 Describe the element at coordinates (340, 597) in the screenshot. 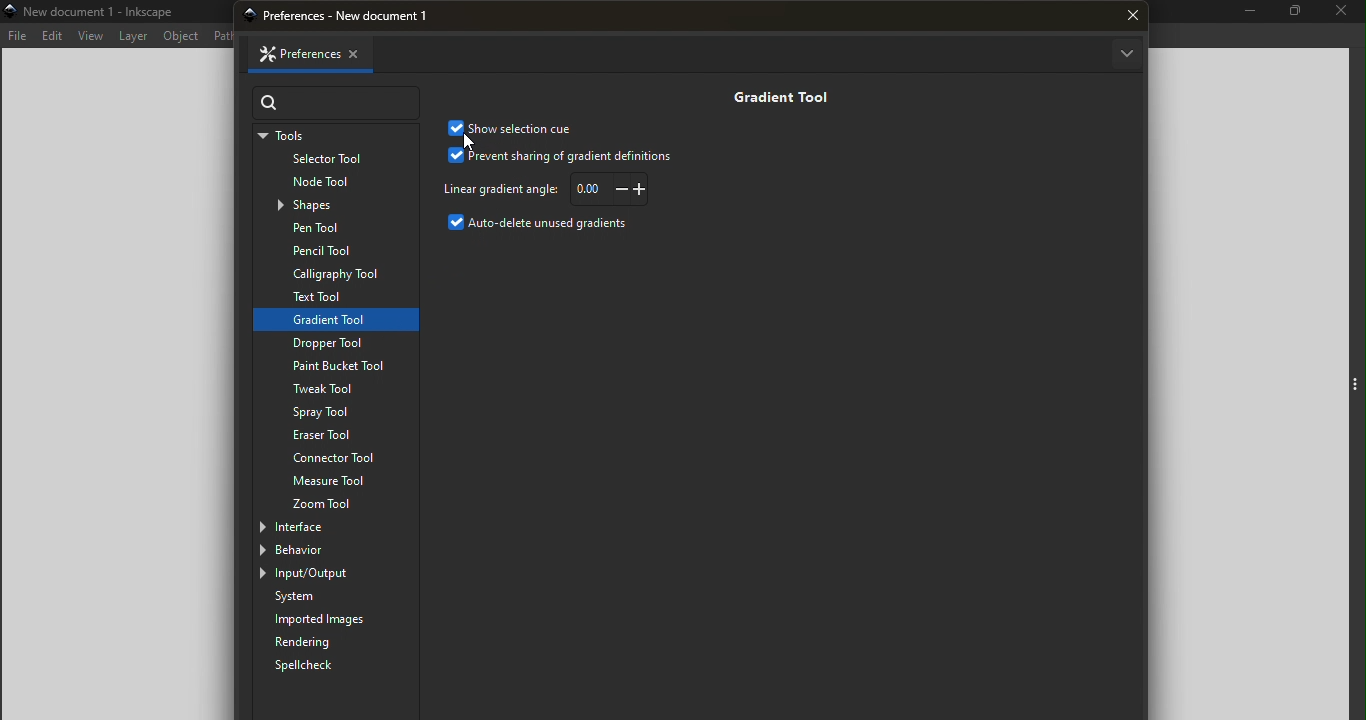

I see `System` at that location.